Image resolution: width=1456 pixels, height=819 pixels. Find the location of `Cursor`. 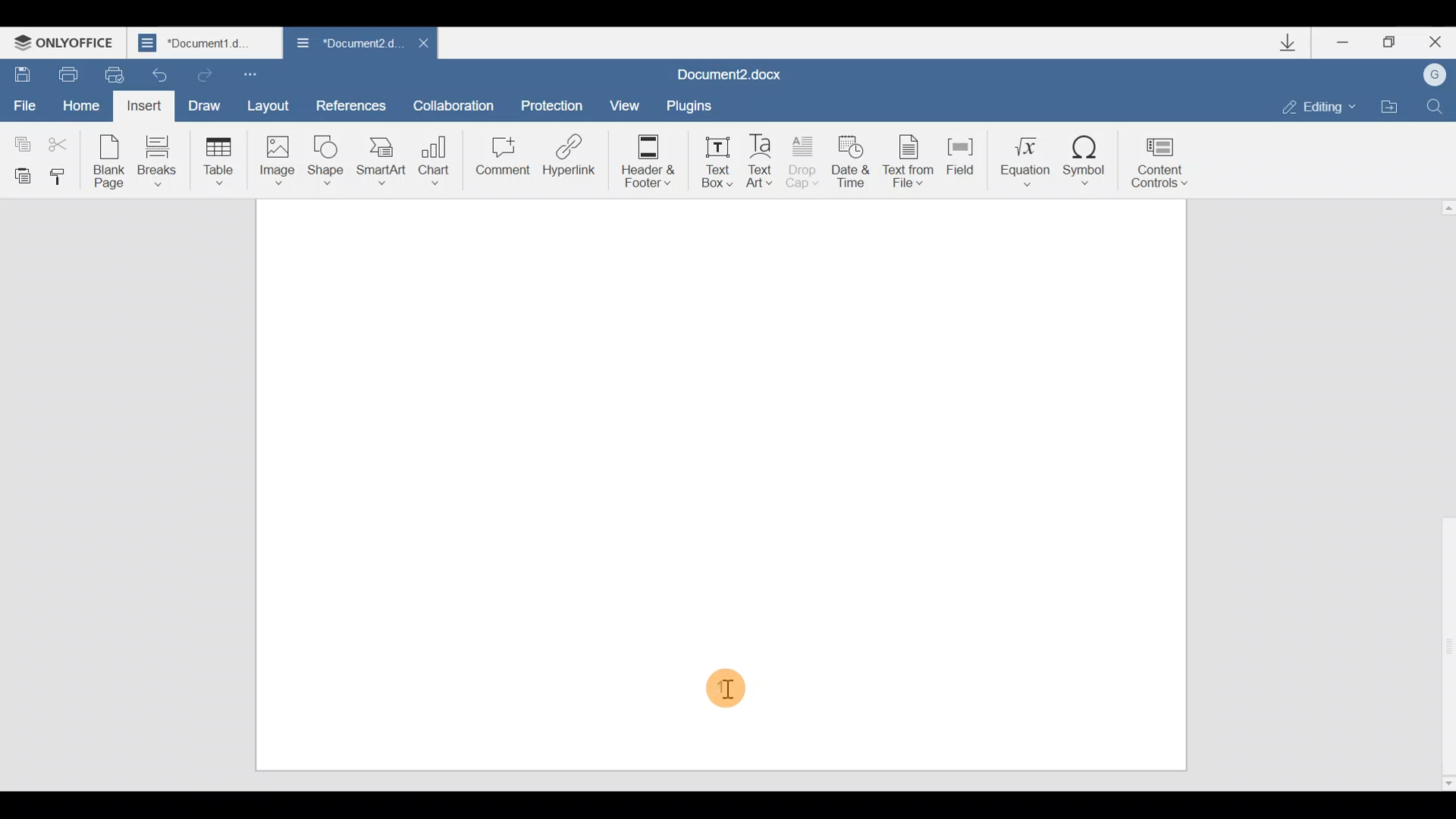

Cursor is located at coordinates (729, 690).